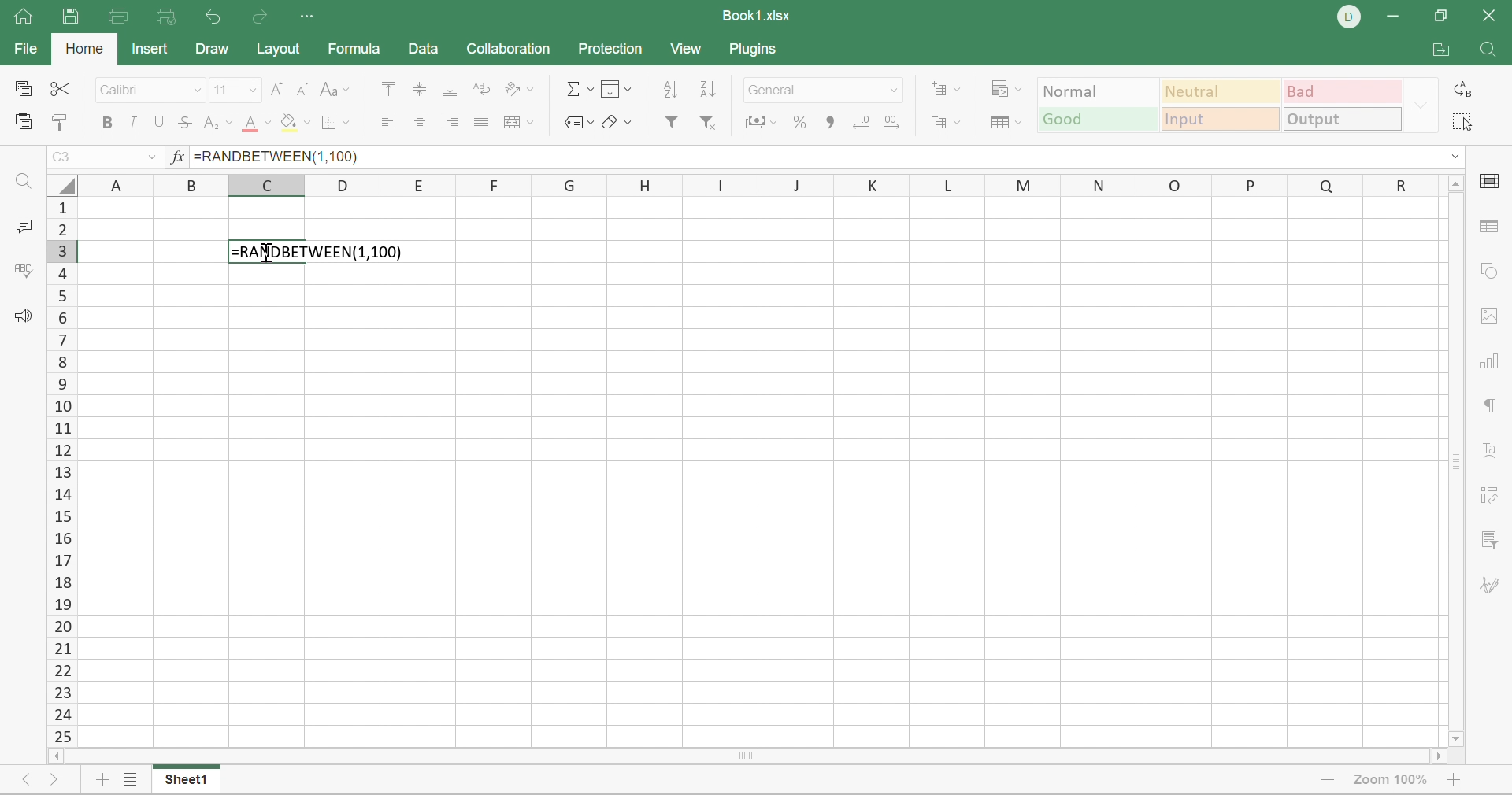 The height and width of the screenshot is (795, 1512). What do you see at coordinates (27, 317) in the screenshot?
I see `Feedback & support` at bounding box center [27, 317].